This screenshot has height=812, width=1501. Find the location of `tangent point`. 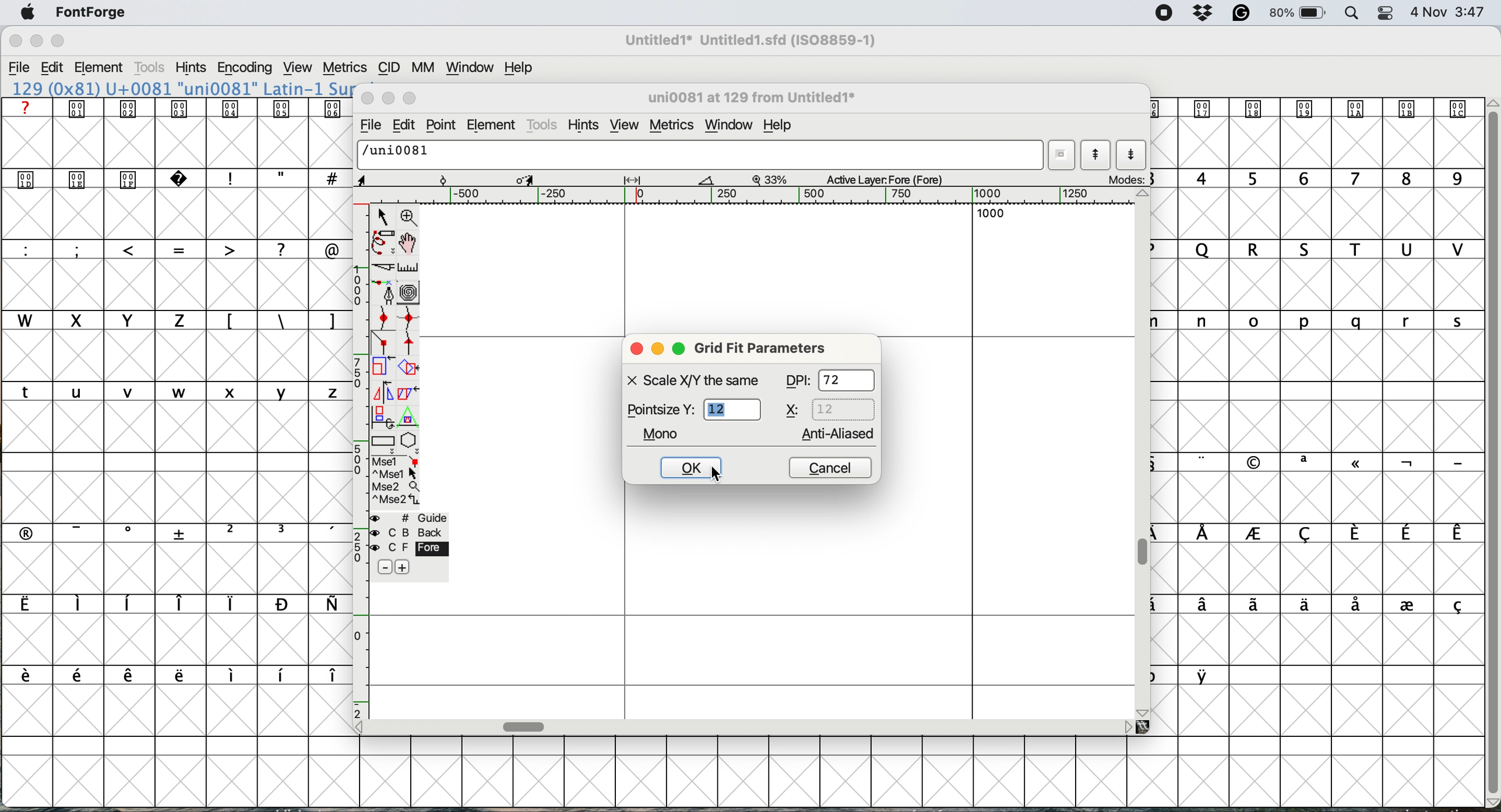

tangent point is located at coordinates (411, 346).